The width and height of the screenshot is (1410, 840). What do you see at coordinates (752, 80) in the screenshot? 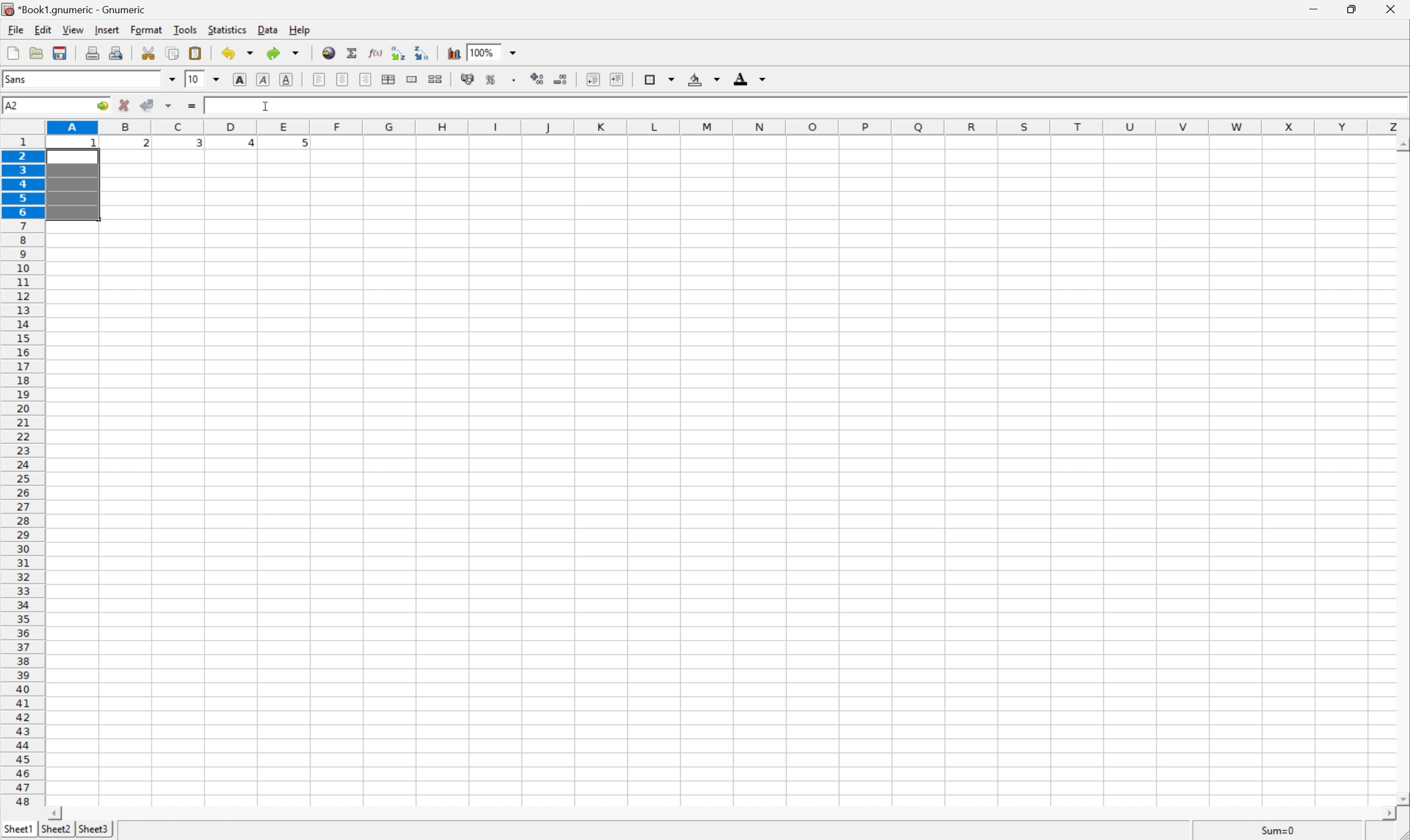
I see `foreground` at bounding box center [752, 80].